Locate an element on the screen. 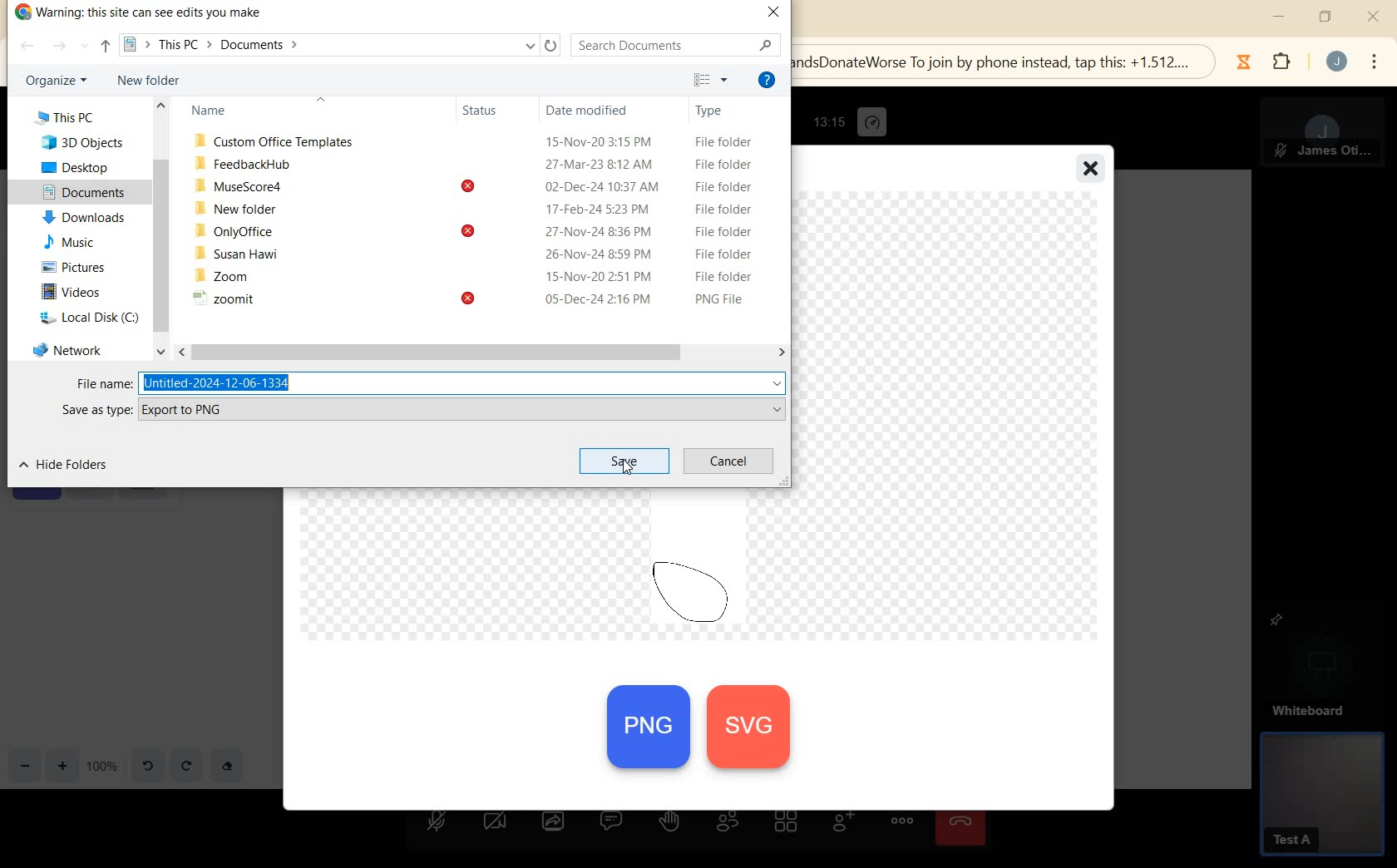  Name Status Date modified Type is located at coordinates (215, 113).